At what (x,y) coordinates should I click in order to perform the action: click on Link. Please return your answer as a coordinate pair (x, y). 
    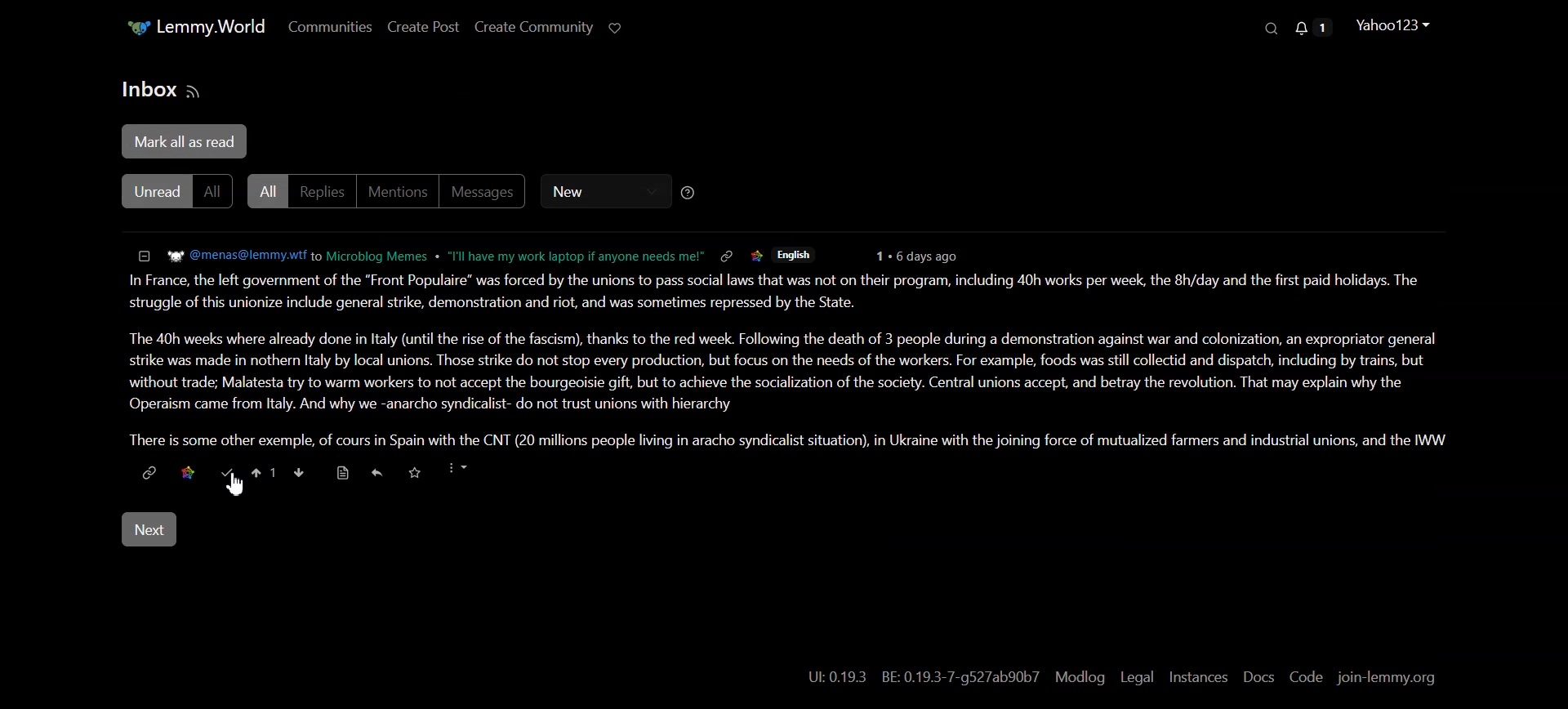
    Looking at the image, I should click on (728, 255).